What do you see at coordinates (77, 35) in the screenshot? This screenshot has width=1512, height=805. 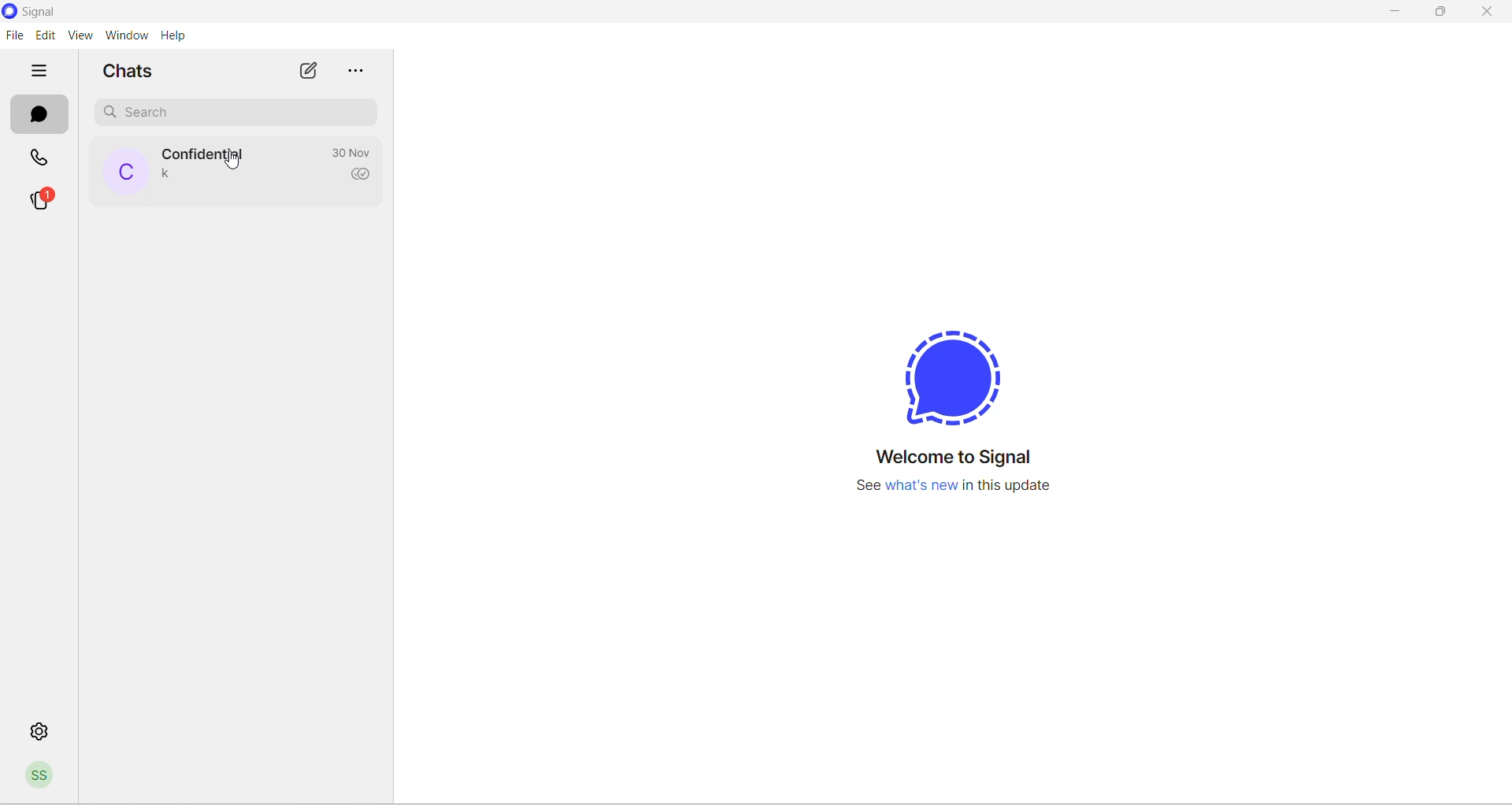 I see `view` at bounding box center [77, 35].